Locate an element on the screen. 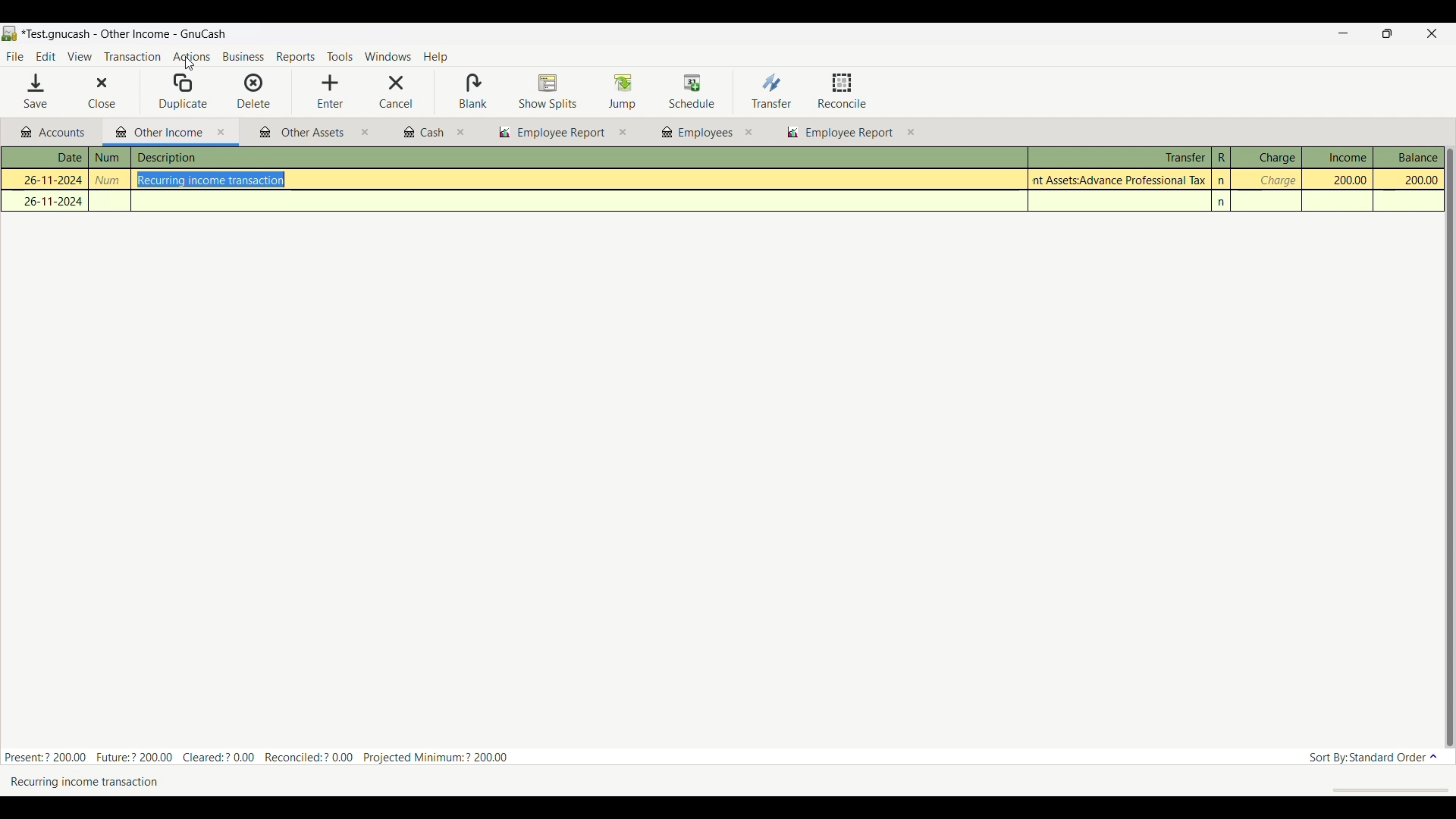  R column is located at coordinates (1220, 158).